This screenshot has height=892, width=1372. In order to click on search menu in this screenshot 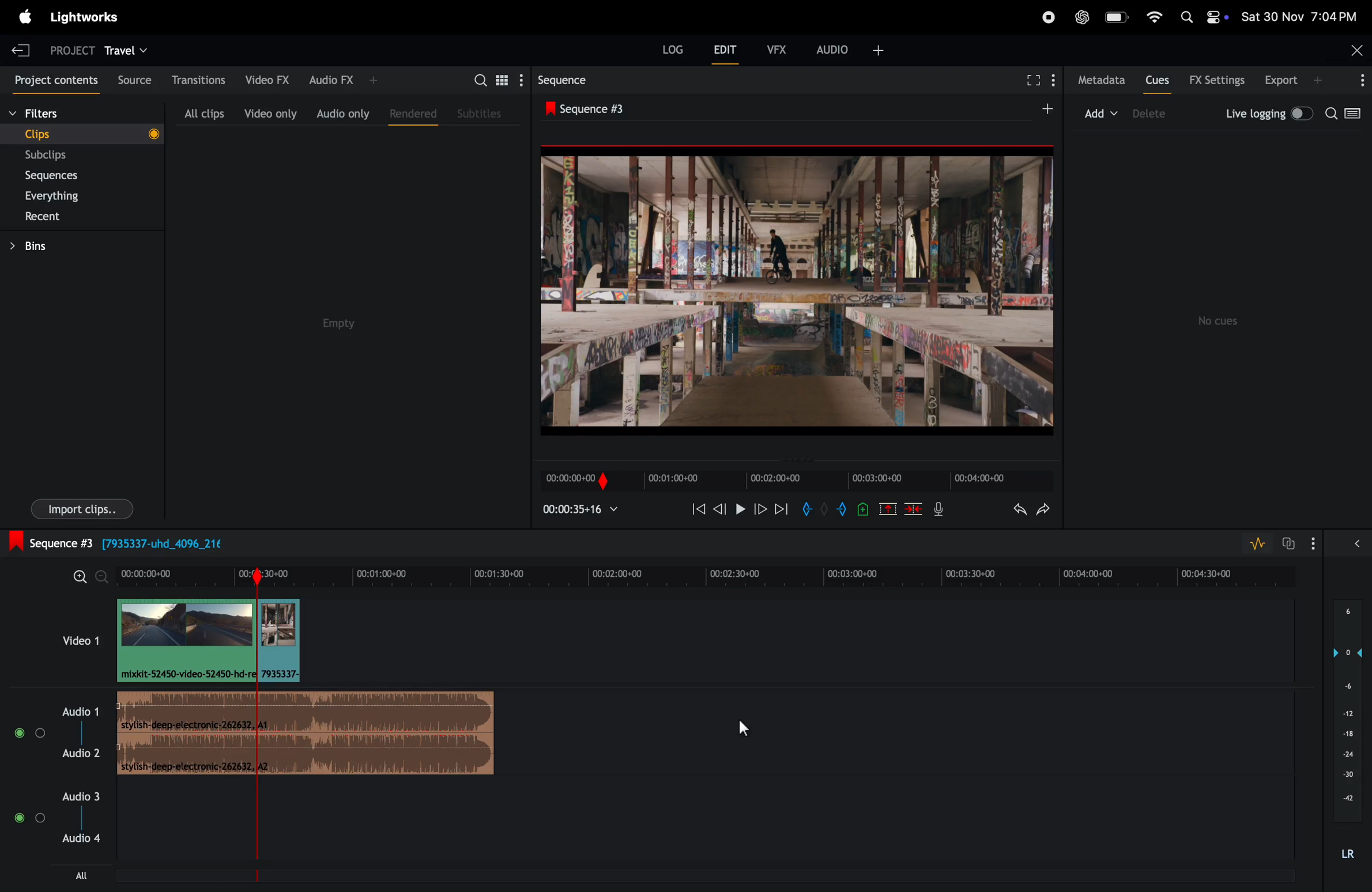, I will do `click(495, 79)`.